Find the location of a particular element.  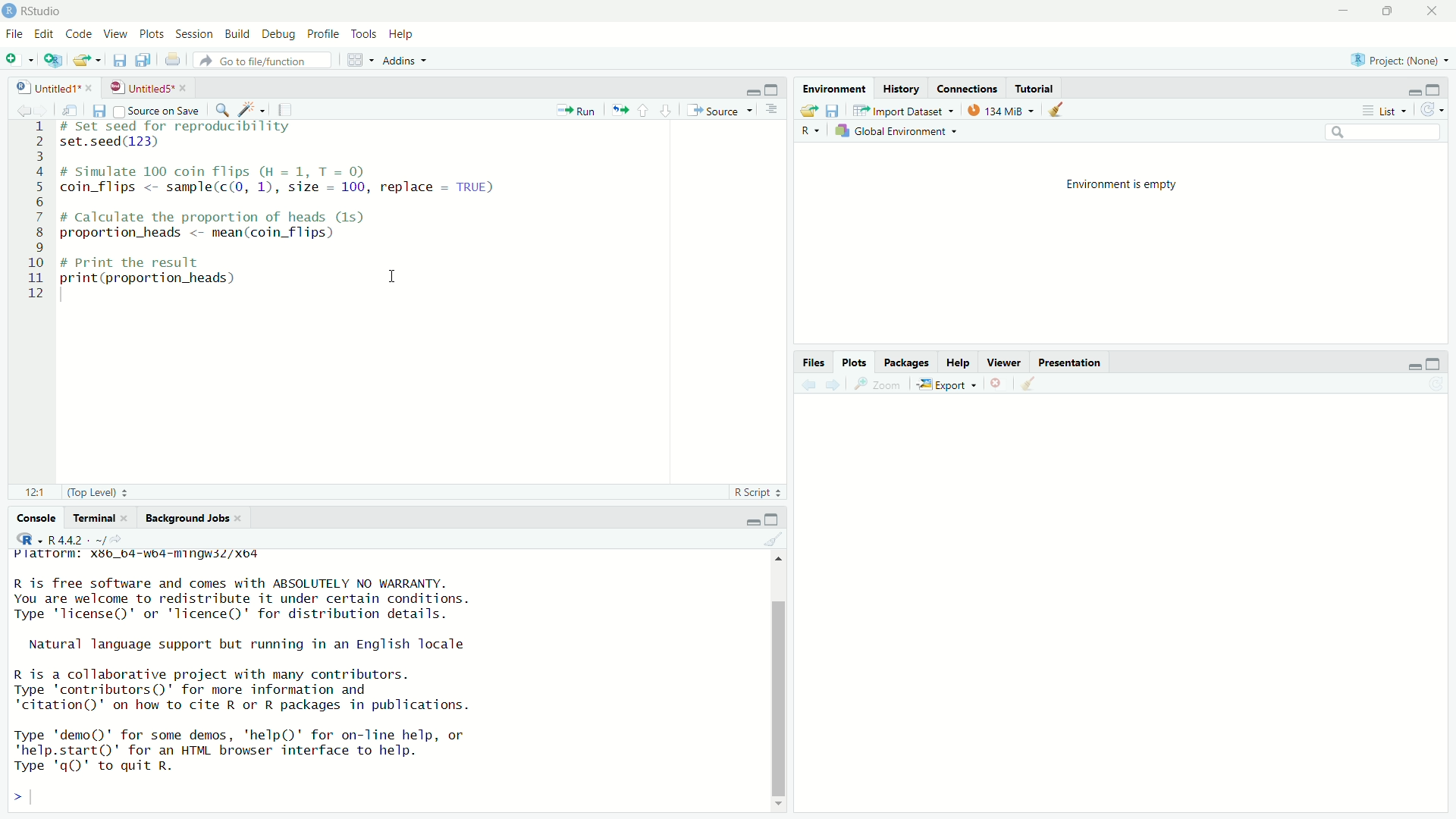

close is located at coordinates (243, 518).